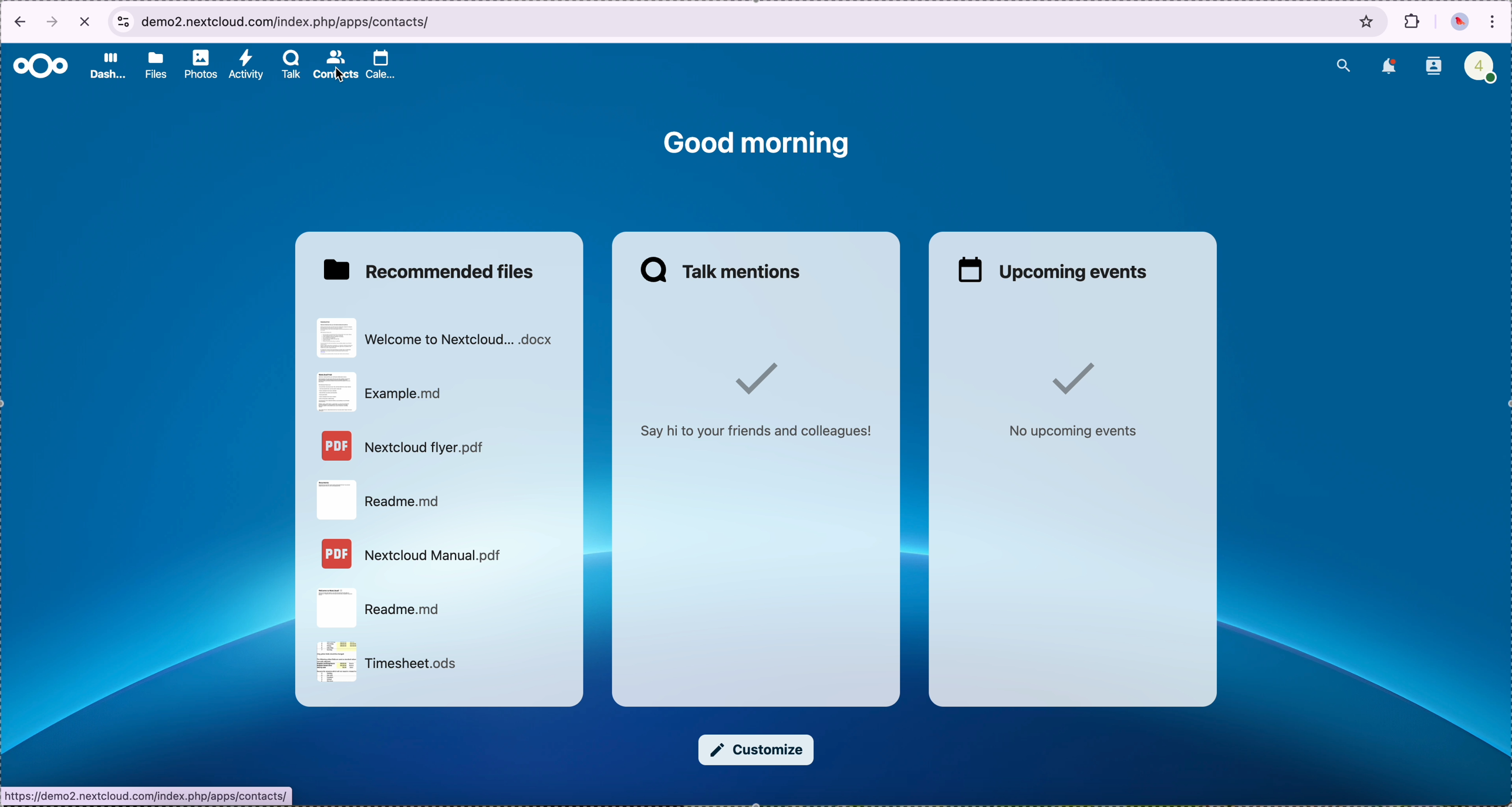 The width and height of the screenshot is (1512, 807). I want to click on user profile, so click(1478, 65).